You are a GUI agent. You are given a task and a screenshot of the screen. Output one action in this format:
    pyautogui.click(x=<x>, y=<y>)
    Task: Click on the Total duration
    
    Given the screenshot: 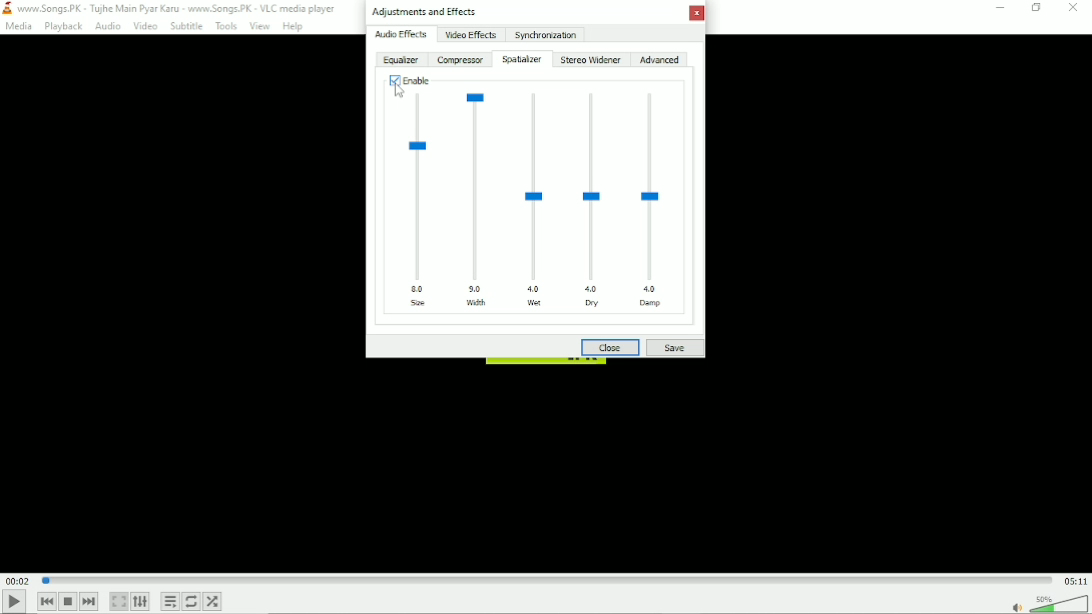 What is the action you would take?
    pyautogui.click(x=1076, y=581)
    